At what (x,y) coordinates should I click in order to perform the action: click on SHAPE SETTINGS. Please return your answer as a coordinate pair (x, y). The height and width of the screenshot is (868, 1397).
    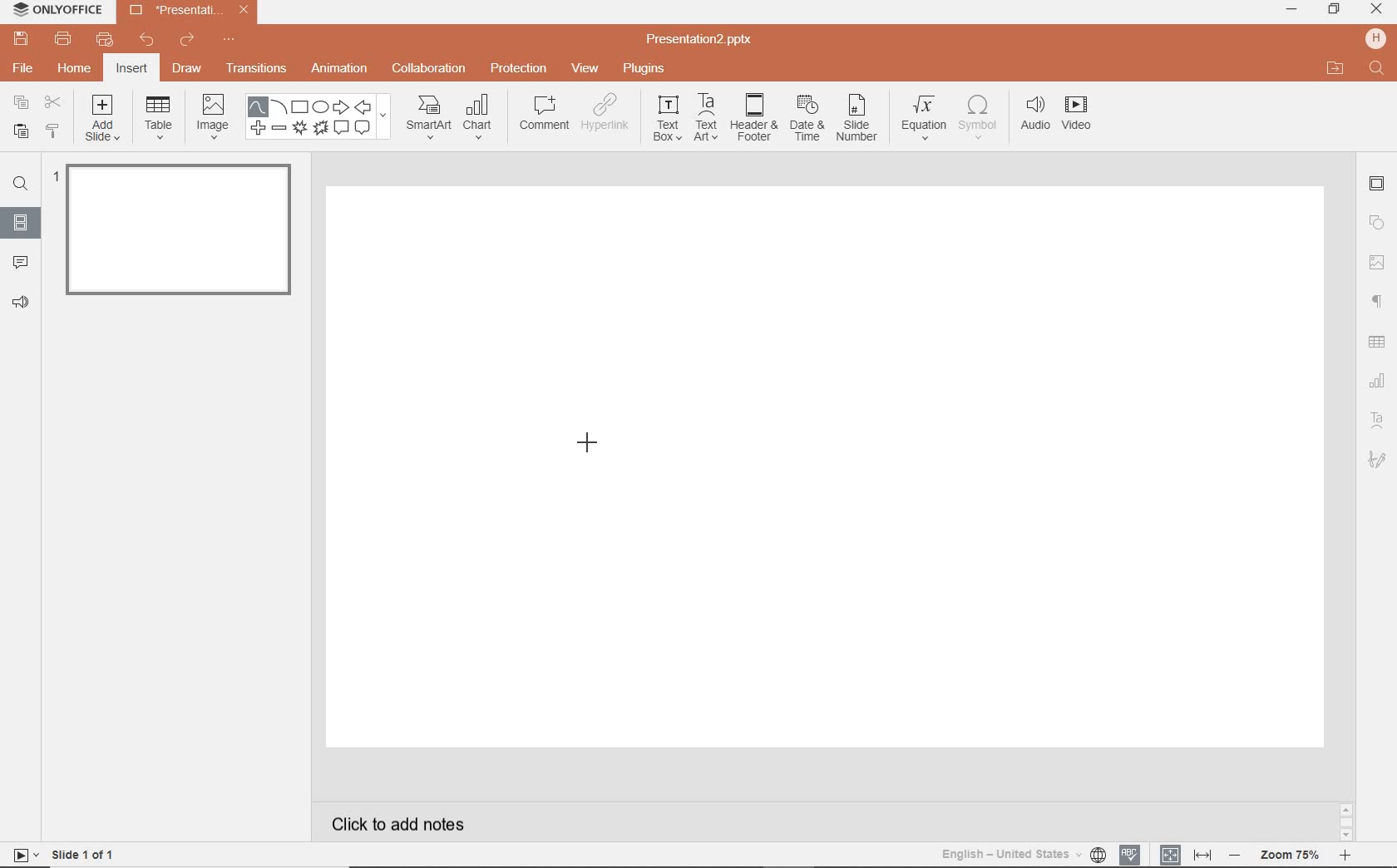
    Looking at the image, I should click on (1378, 223).